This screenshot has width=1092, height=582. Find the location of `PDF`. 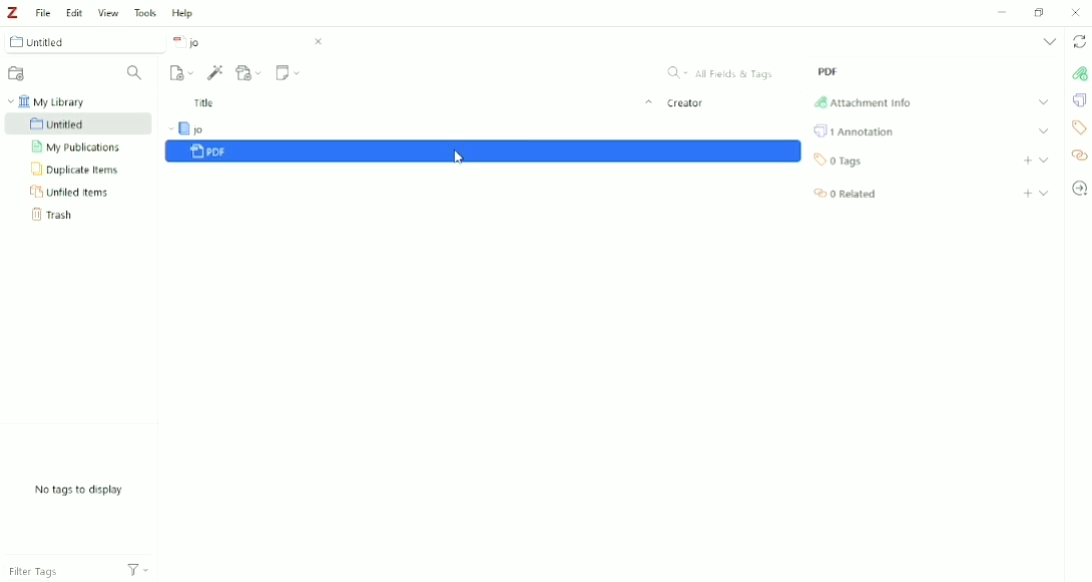

PDF is located at coordinates (827, 71).